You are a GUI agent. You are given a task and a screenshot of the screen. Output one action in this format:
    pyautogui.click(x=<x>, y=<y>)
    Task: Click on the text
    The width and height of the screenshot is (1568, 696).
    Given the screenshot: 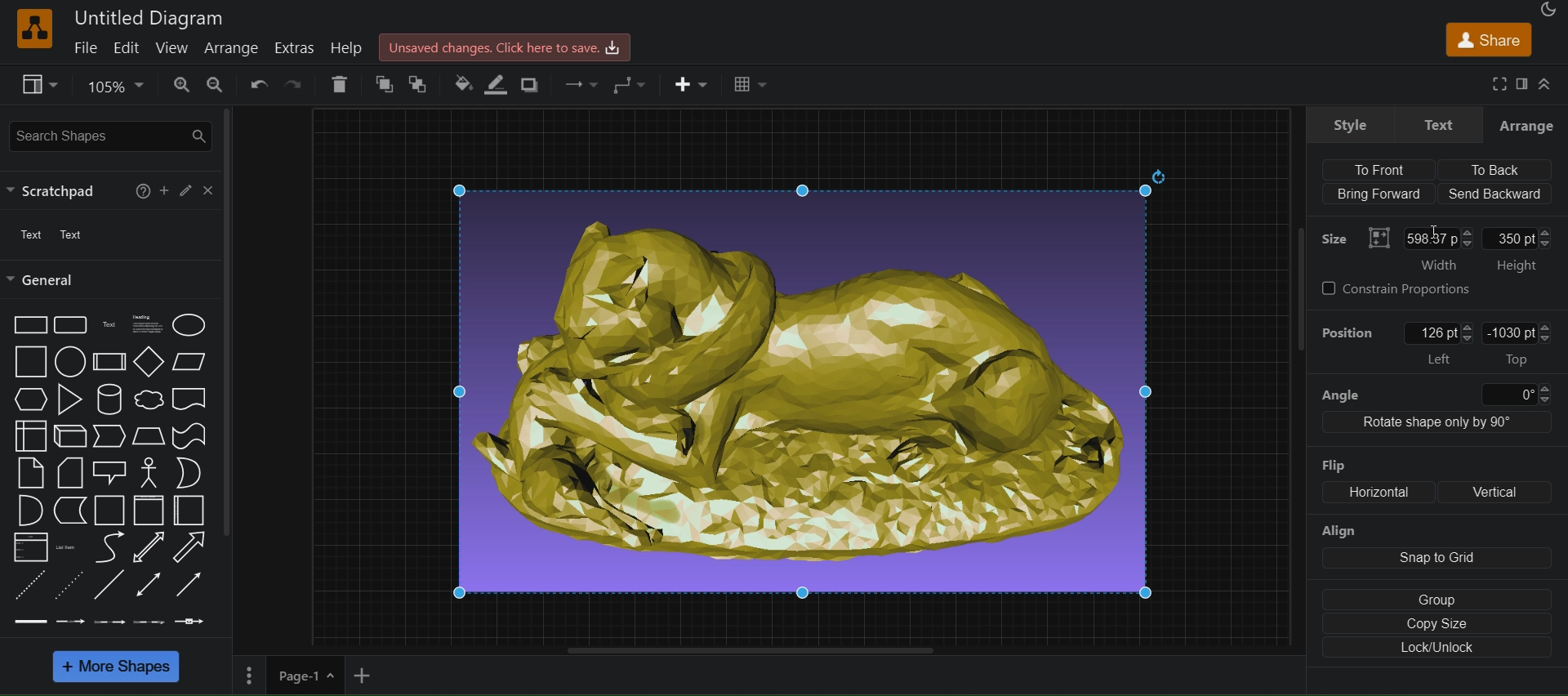 What is the action you would take?
    pyautogui.click(x=26, y=236)
    